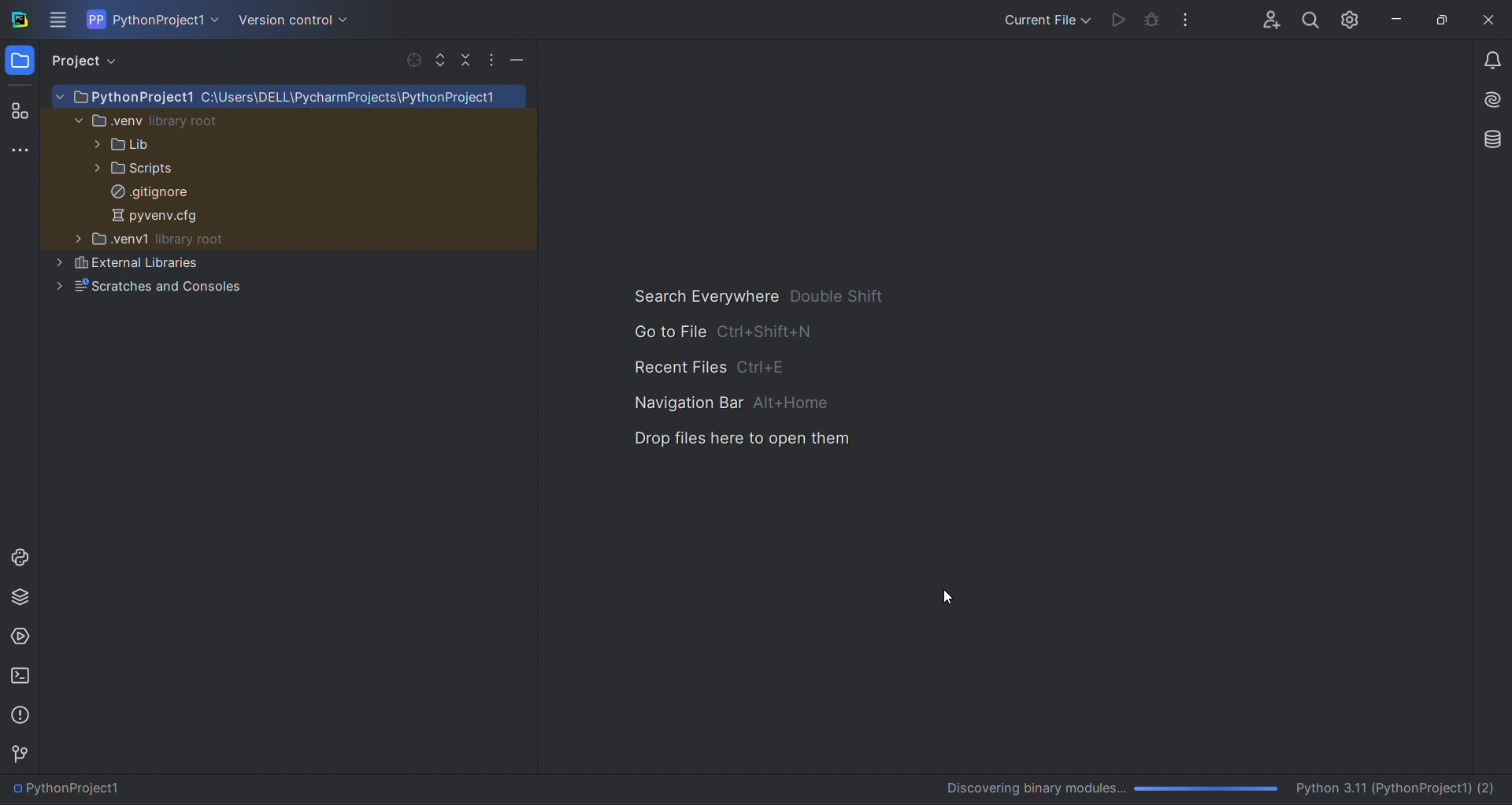  I want to click on probleems, so click(23, 714).